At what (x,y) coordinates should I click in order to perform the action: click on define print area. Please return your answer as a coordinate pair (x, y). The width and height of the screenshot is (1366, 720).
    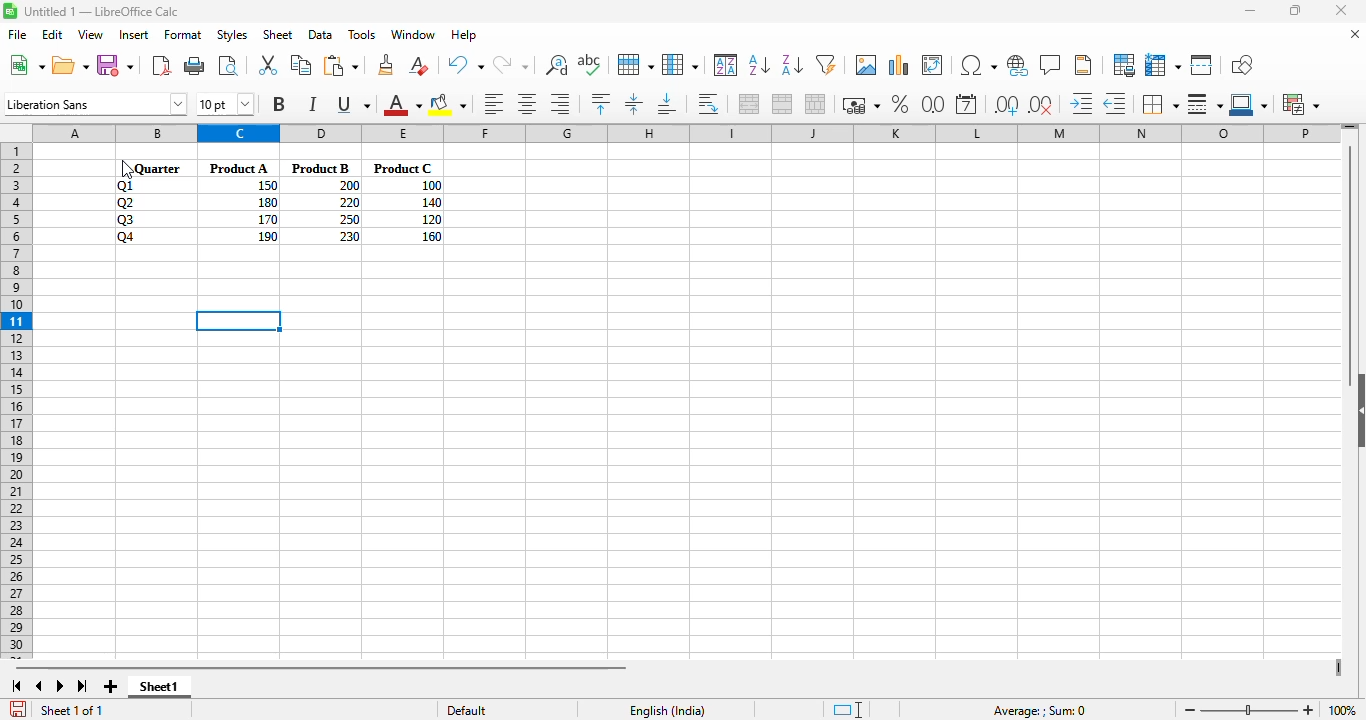
    Looking at the image, I should click on (1124, 65).